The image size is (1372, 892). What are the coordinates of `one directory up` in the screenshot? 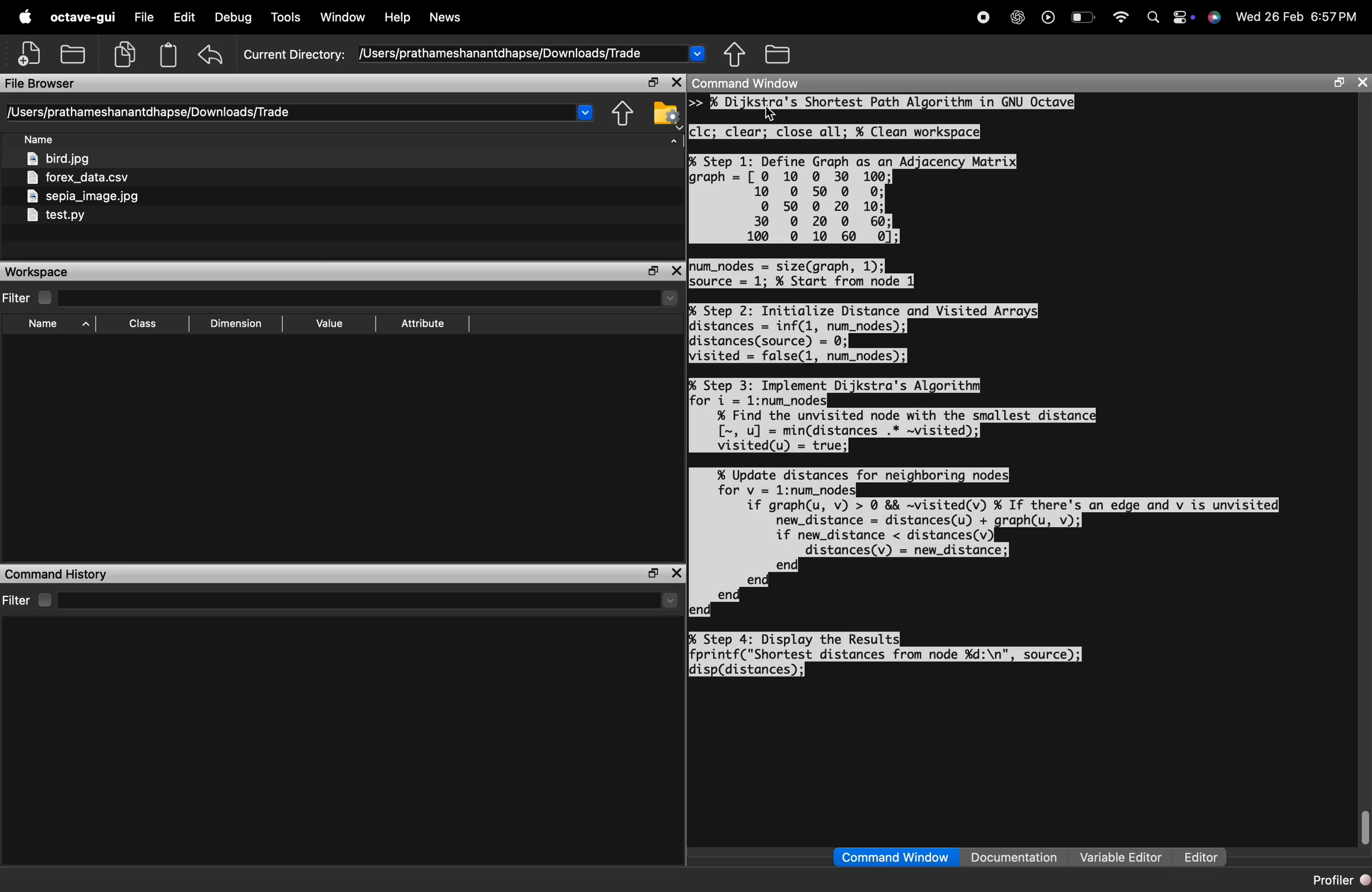 It's located at (625, 116).